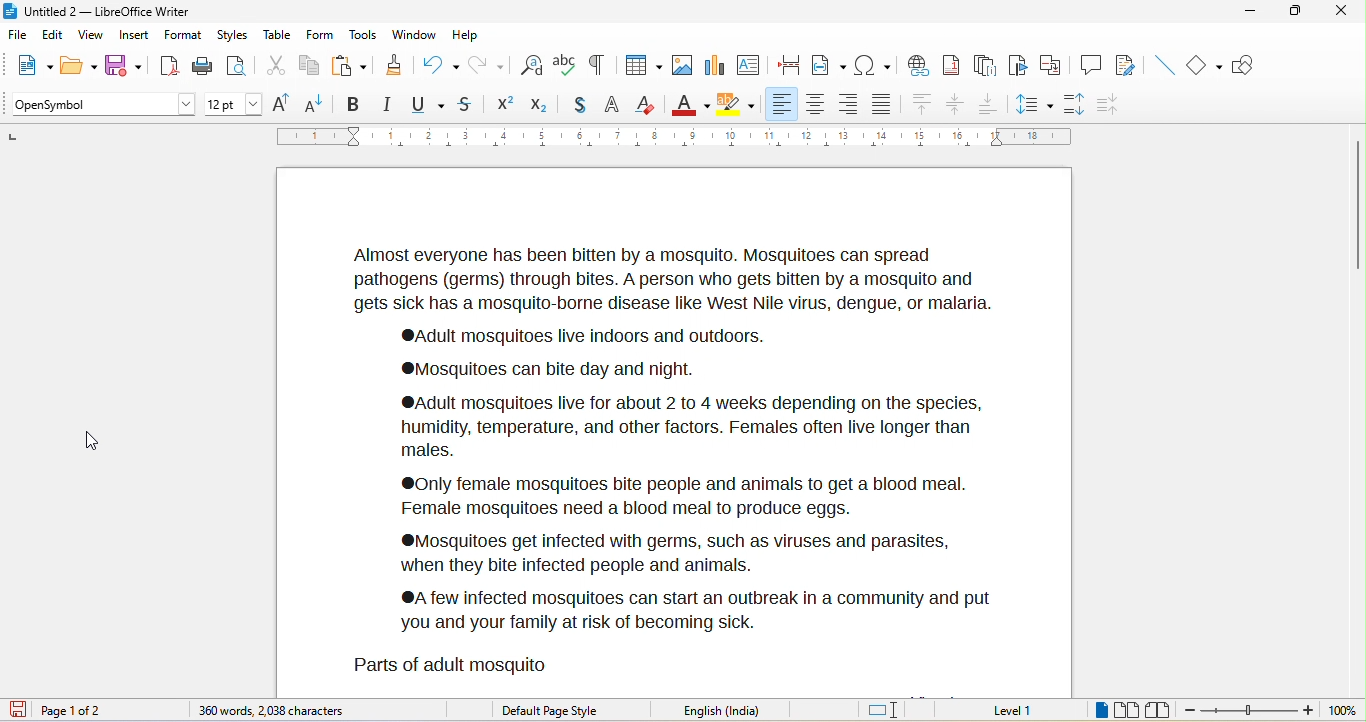 The width and height of the screenshot is (1366, 722). Describe the element at coordinates (100, 10) in the screenshot. I see `untitled 2 - libreoffice writer` at that location.